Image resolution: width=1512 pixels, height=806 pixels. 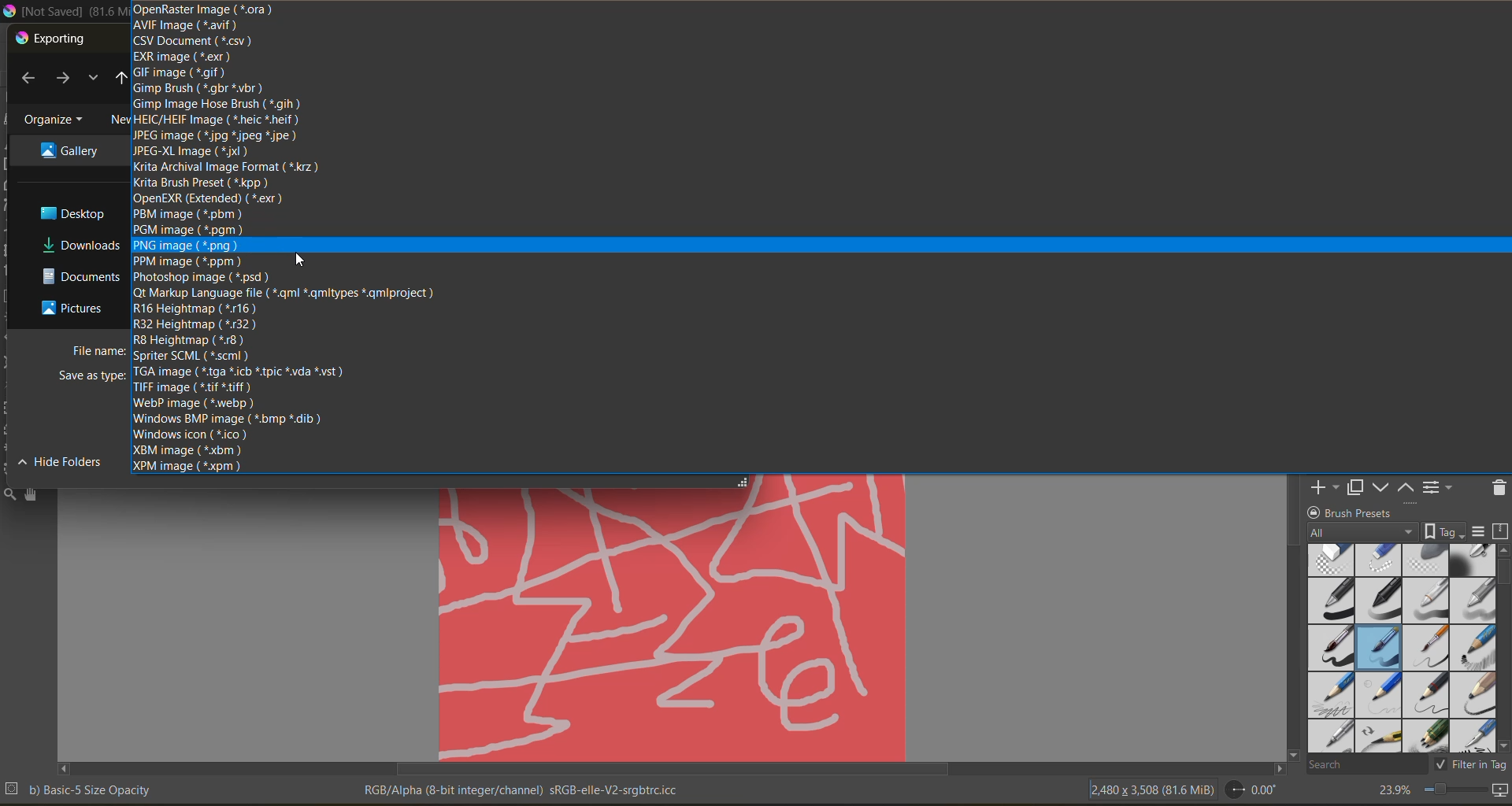 I want to click on ppm image, so click(x=191, y=261).